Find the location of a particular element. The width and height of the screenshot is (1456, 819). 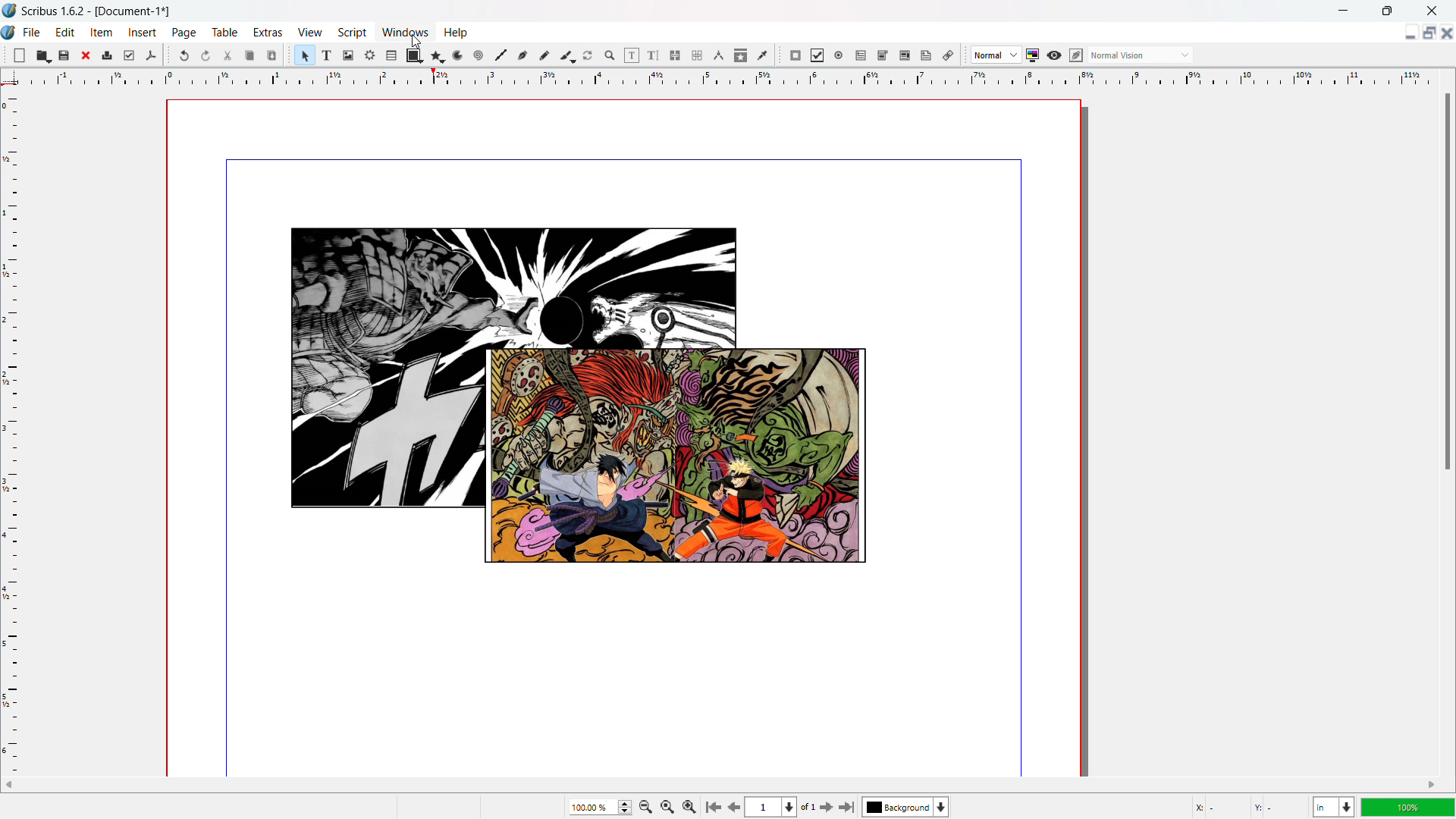

file is located at coordinates (33, 32).